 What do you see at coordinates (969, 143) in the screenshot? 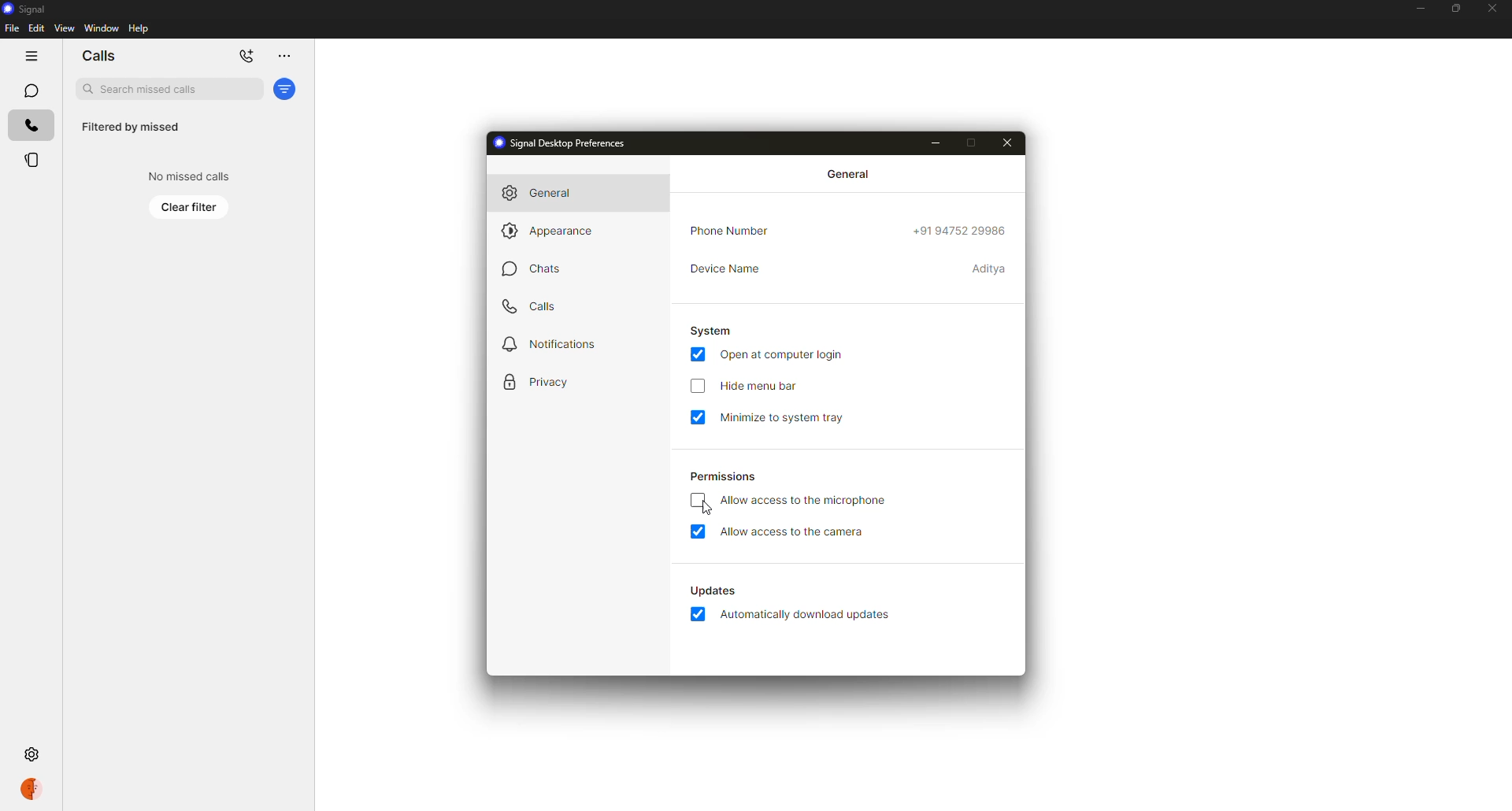
I see `maximize` at bounding box center [969, 143].